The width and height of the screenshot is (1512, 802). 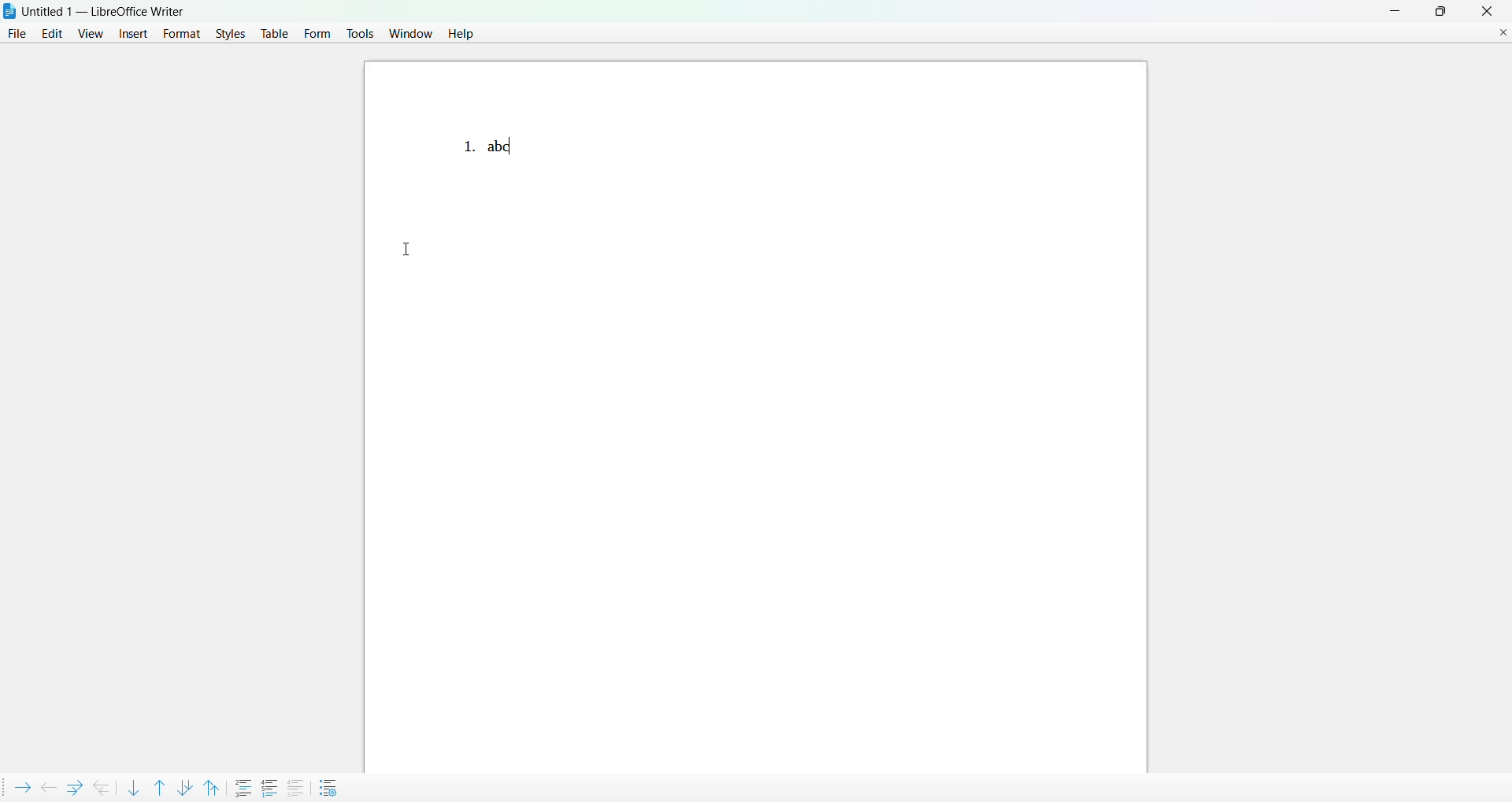 I want to click on cursor, so click(x=419, y=247).